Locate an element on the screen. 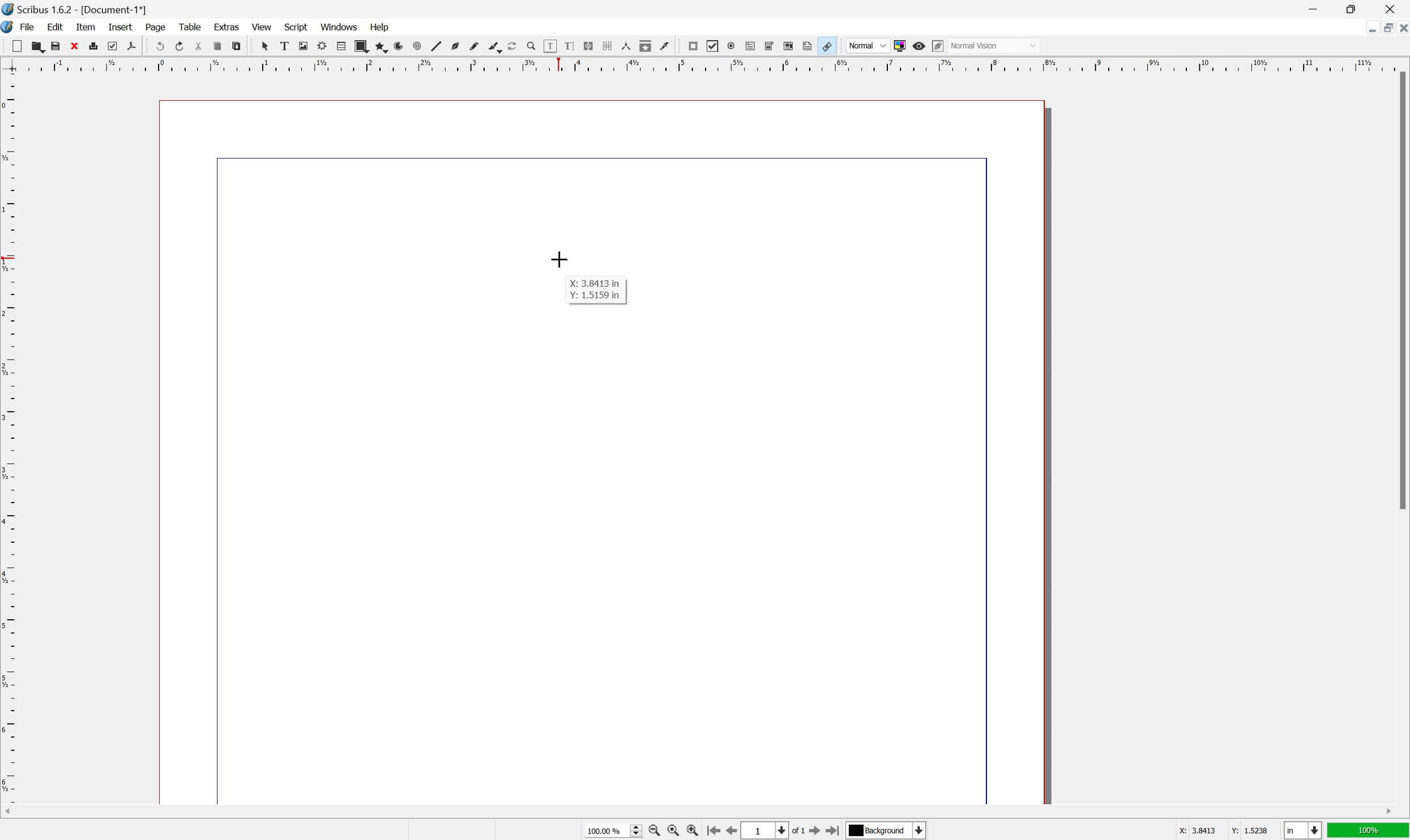 This screenshot has height=840, width=1410. text frame is located at coordinates (284, 46).